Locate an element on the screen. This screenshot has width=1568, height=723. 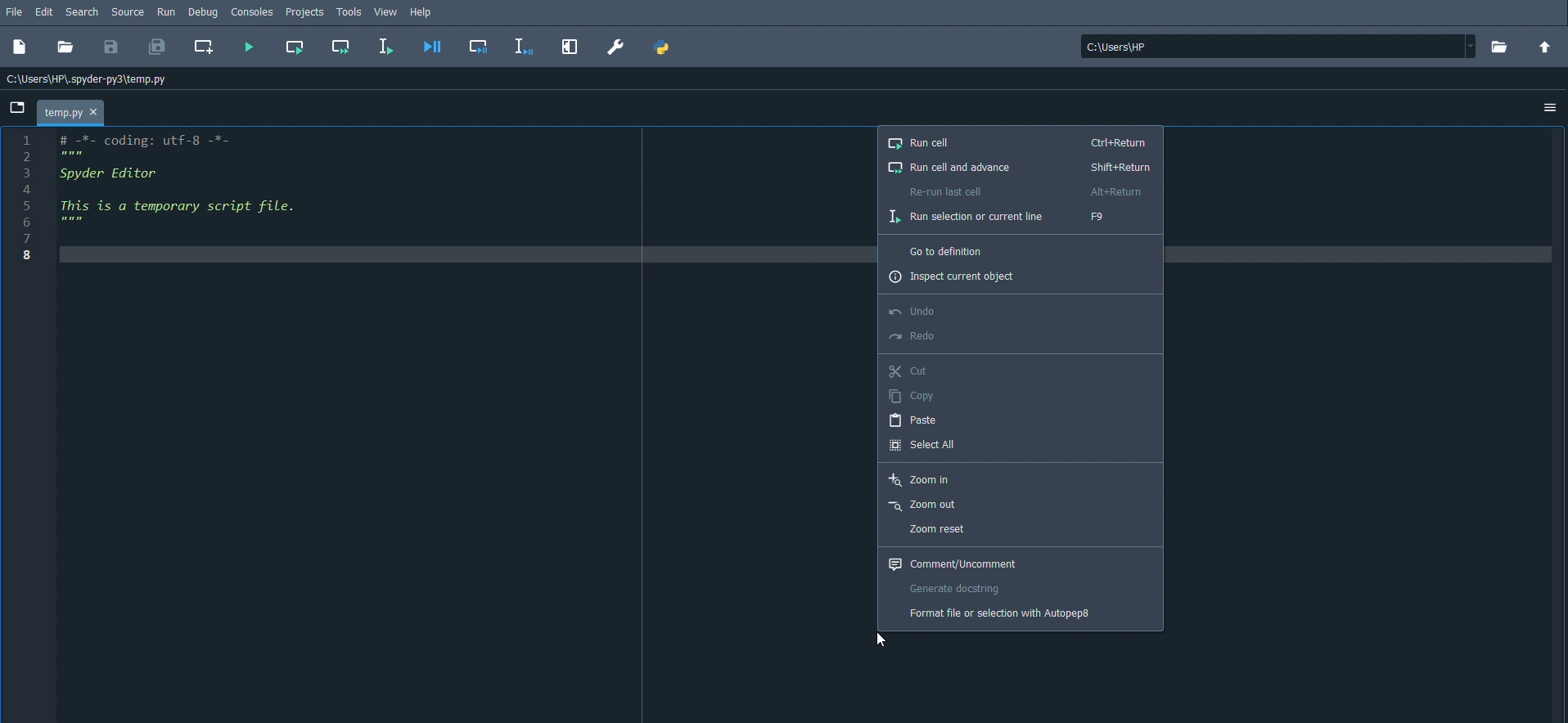
C:\Users\HP is located at coordinates (1274, 46).